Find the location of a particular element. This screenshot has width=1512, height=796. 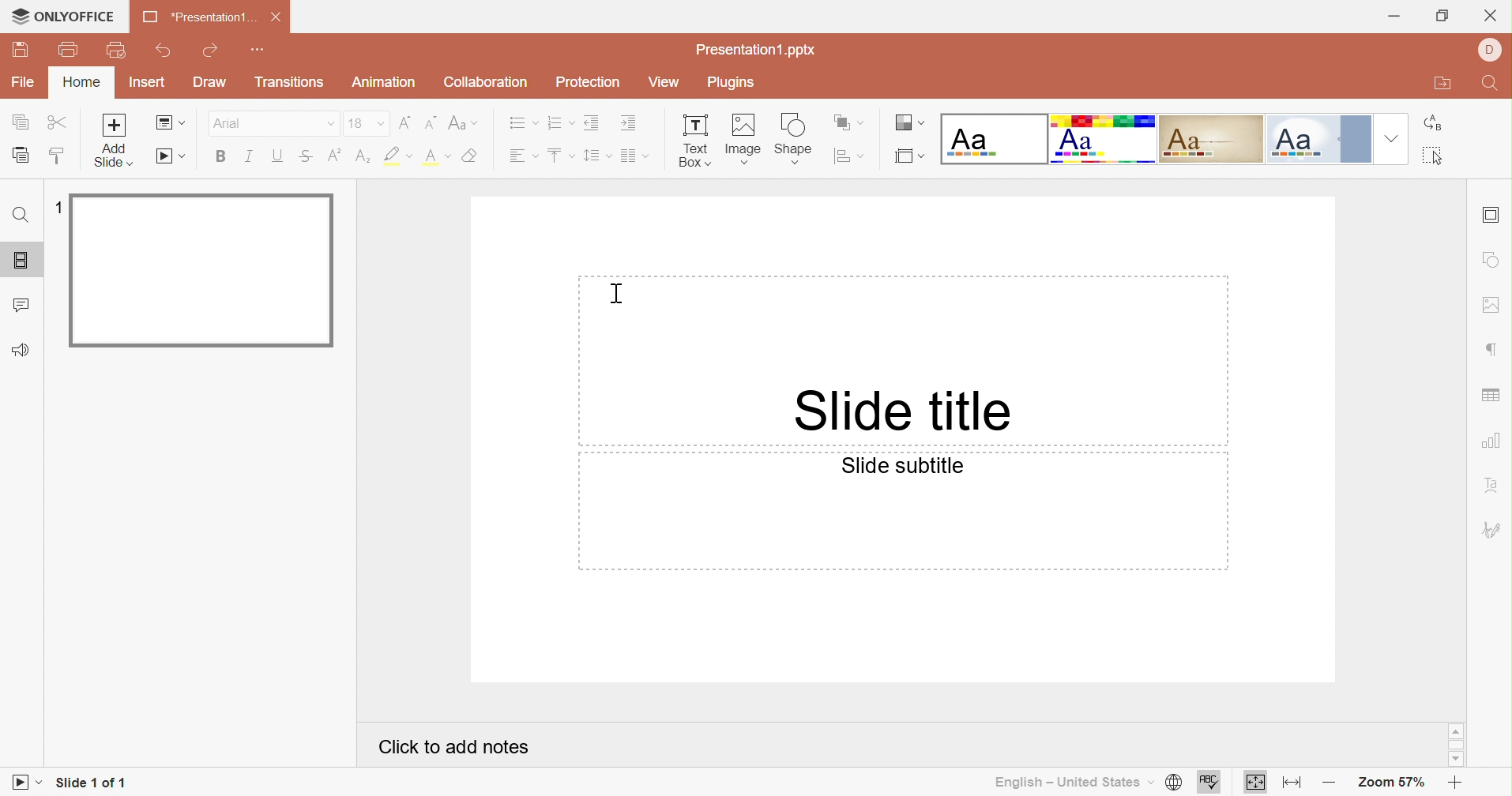

View is located at coordinates (662, 80).